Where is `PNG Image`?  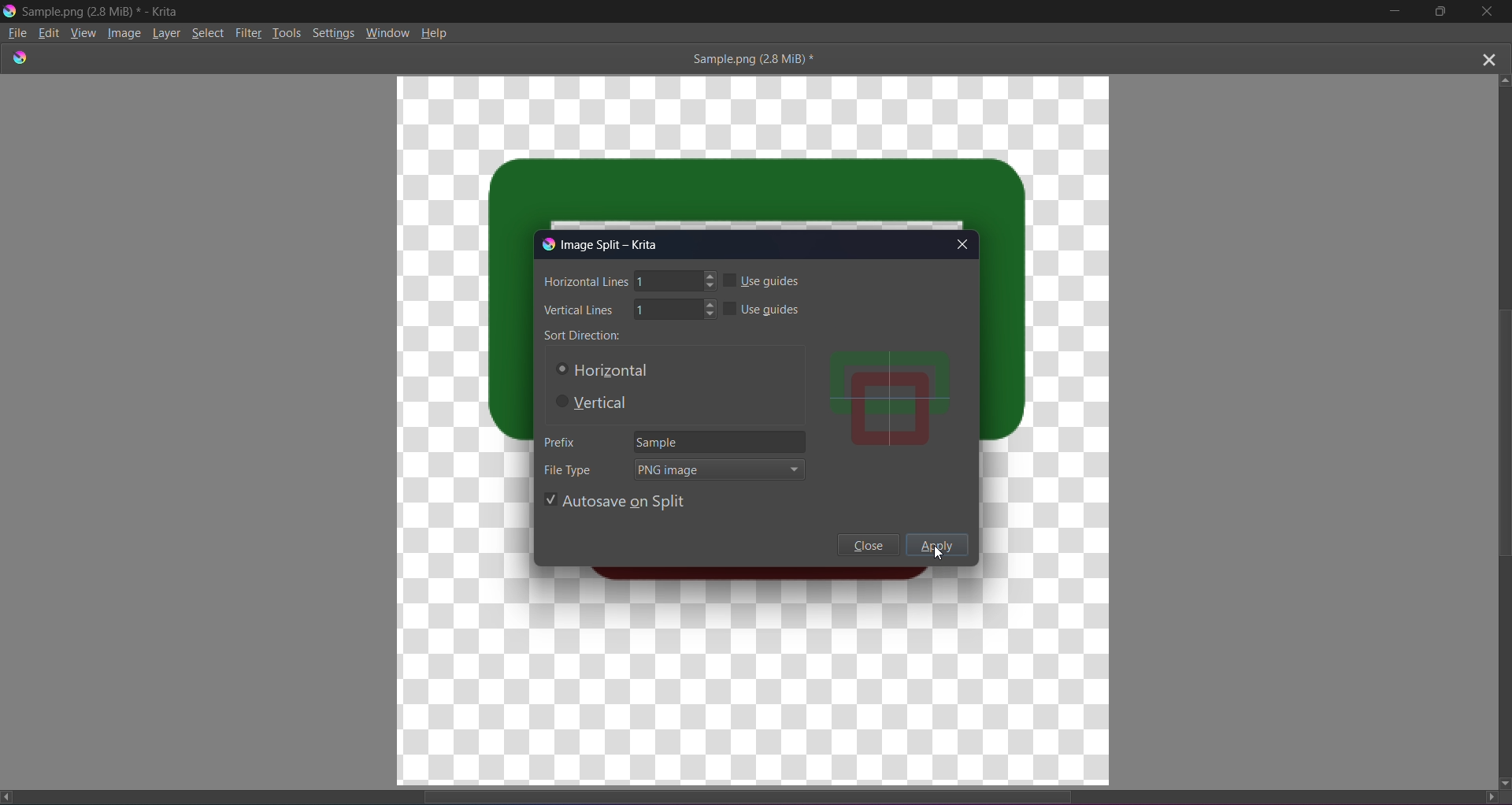
PNG Image is located at coordinates (720, 470).